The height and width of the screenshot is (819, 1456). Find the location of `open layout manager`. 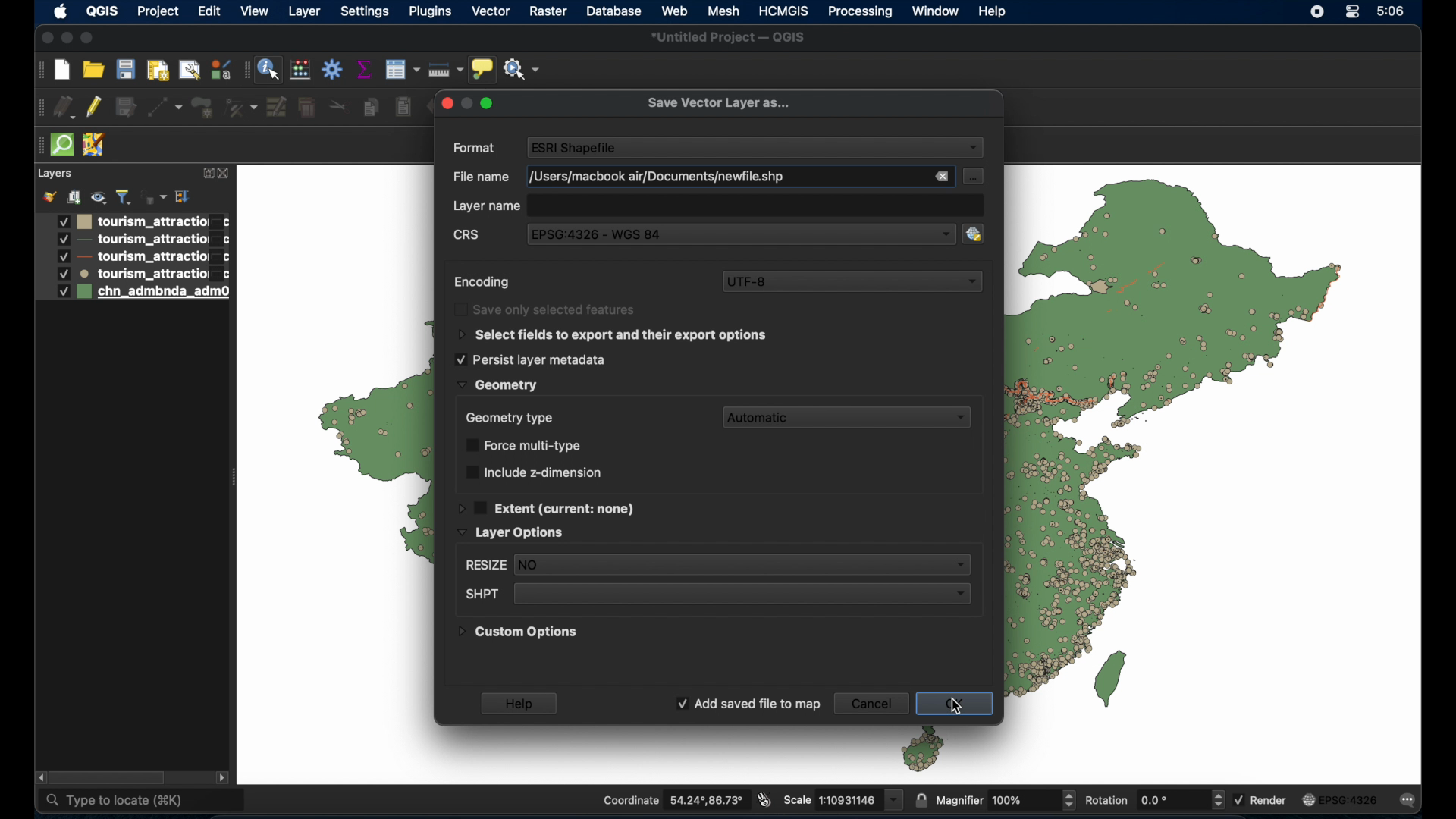

open layout manager is located at coordinates (190, 70).